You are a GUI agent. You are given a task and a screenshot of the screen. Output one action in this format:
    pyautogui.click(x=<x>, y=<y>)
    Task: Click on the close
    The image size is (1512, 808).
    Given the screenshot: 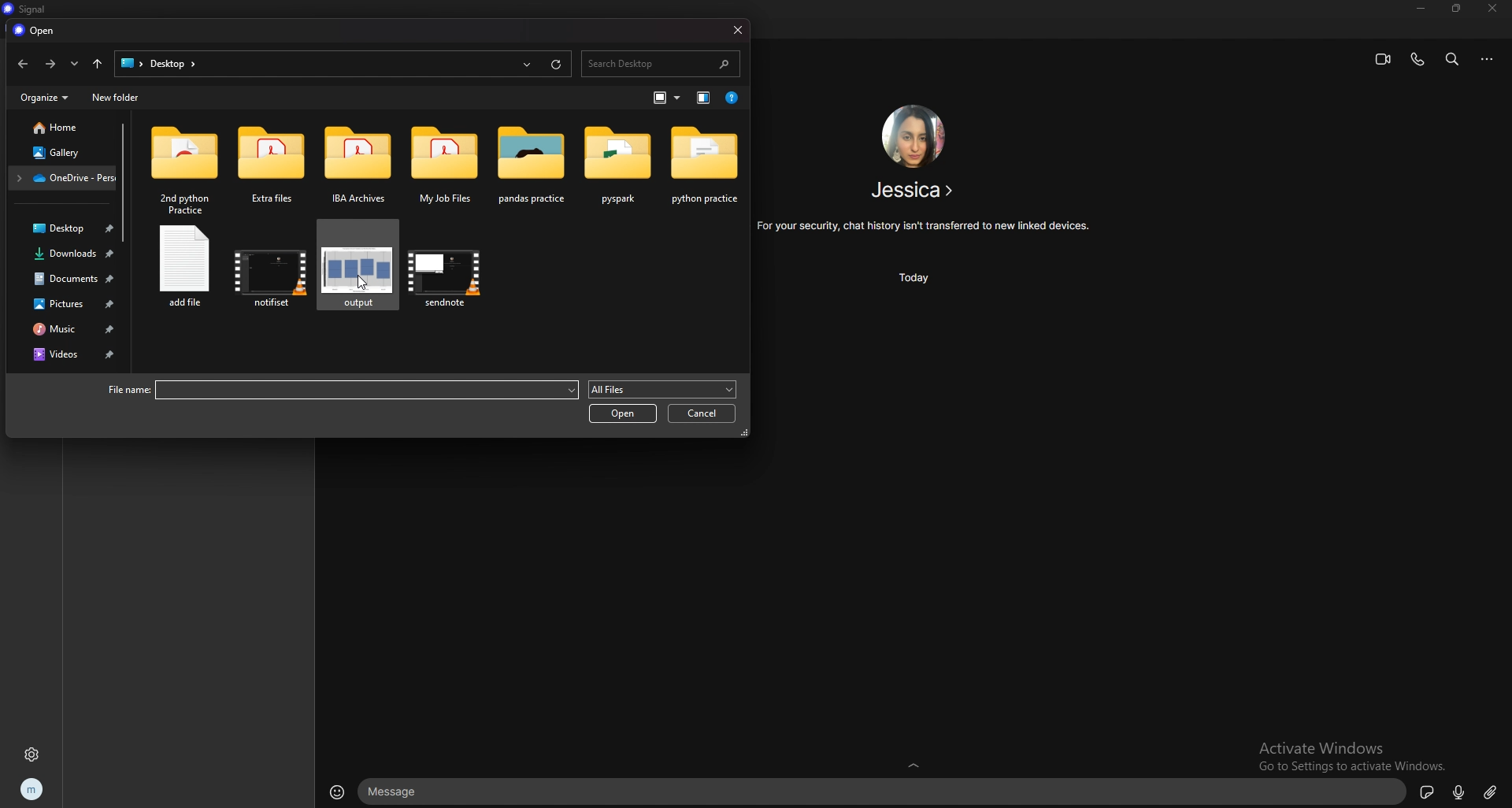 What is the action you would take?
    pyautogui.click(x=1492, y=8)
    